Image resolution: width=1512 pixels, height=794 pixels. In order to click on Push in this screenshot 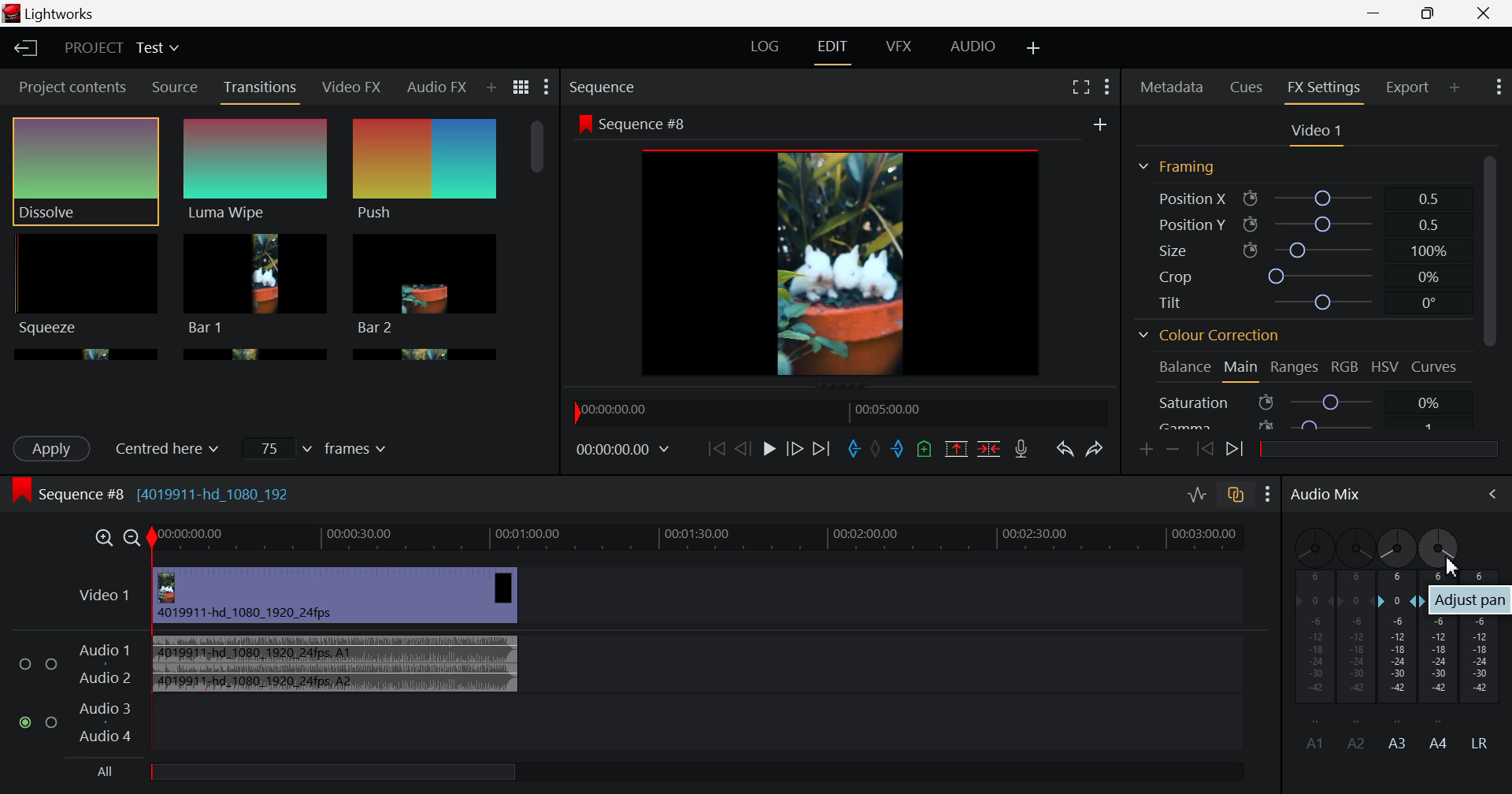, I will do `click(426, 171)`.